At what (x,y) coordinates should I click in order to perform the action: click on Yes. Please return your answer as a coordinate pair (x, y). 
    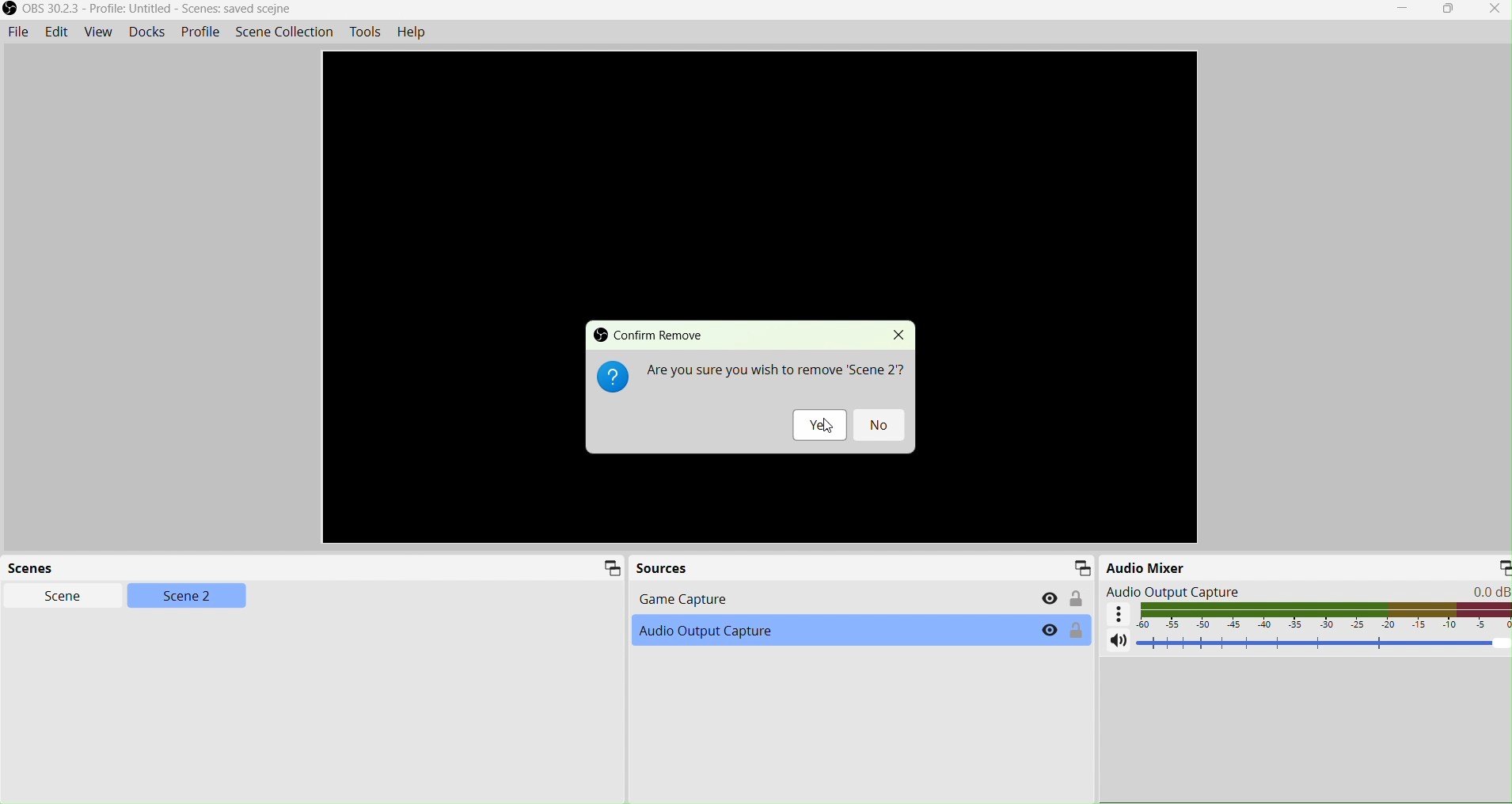
    Looking at the image, I should click on (819, 425).